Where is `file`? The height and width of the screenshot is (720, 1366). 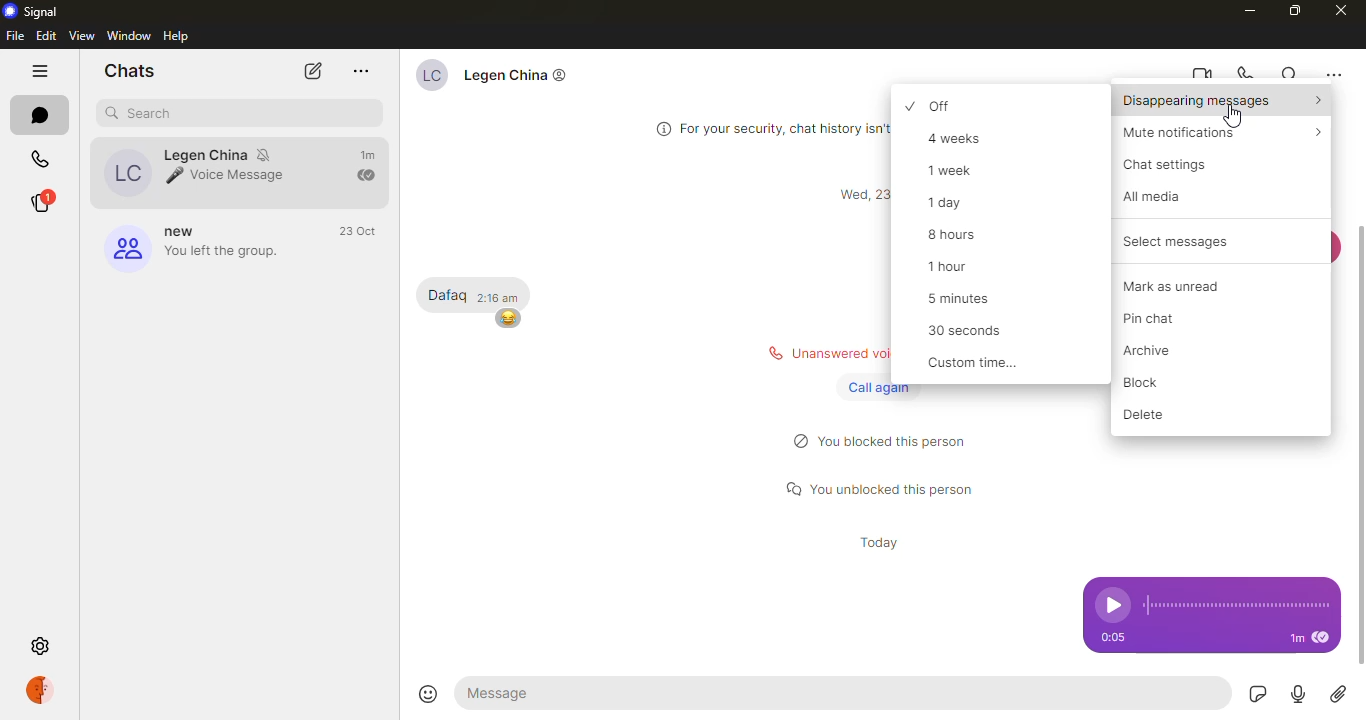 file is located at coordinates (15, 36).